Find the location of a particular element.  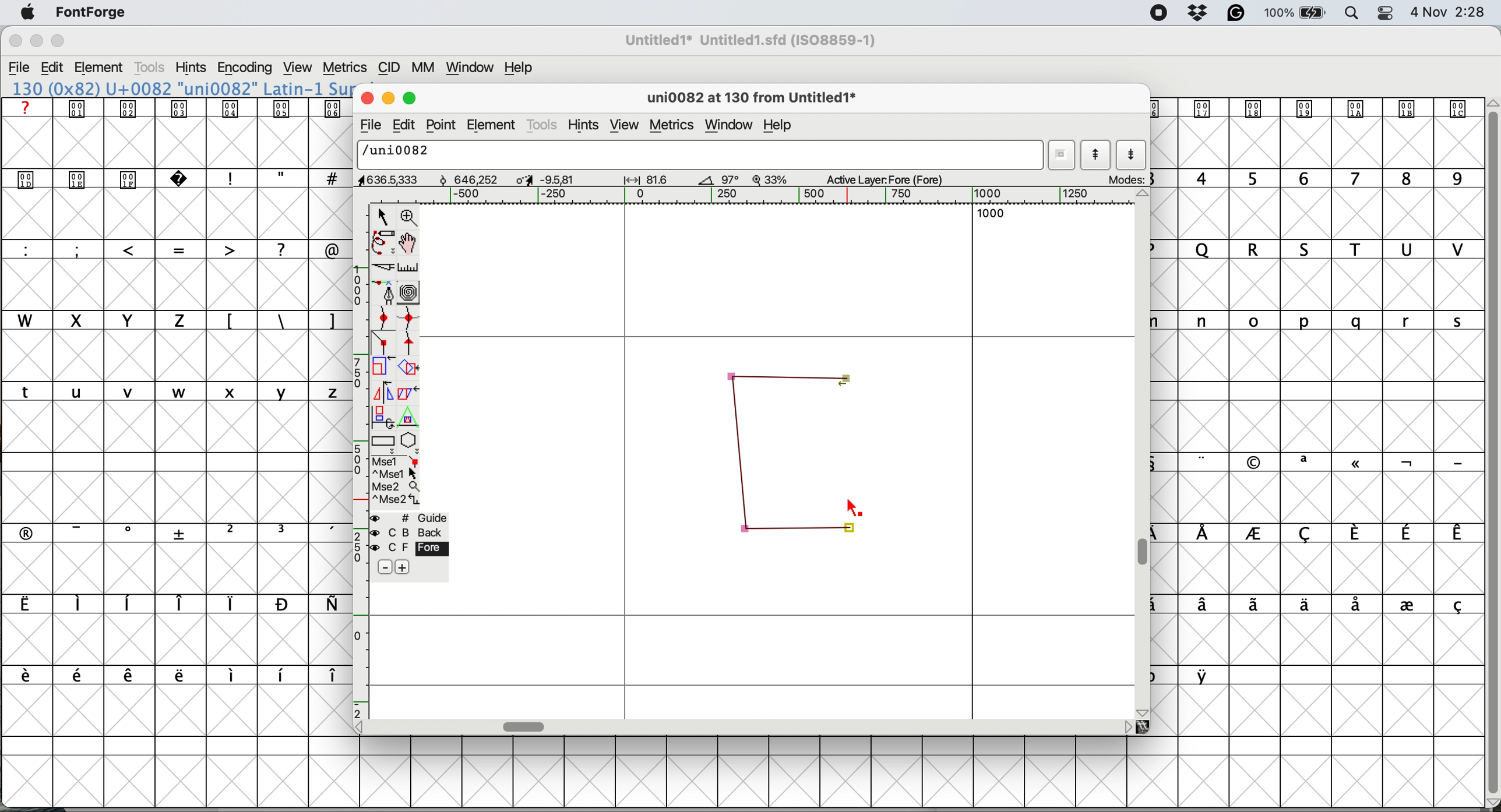

scroll button is located at coordinates (1144, 195).